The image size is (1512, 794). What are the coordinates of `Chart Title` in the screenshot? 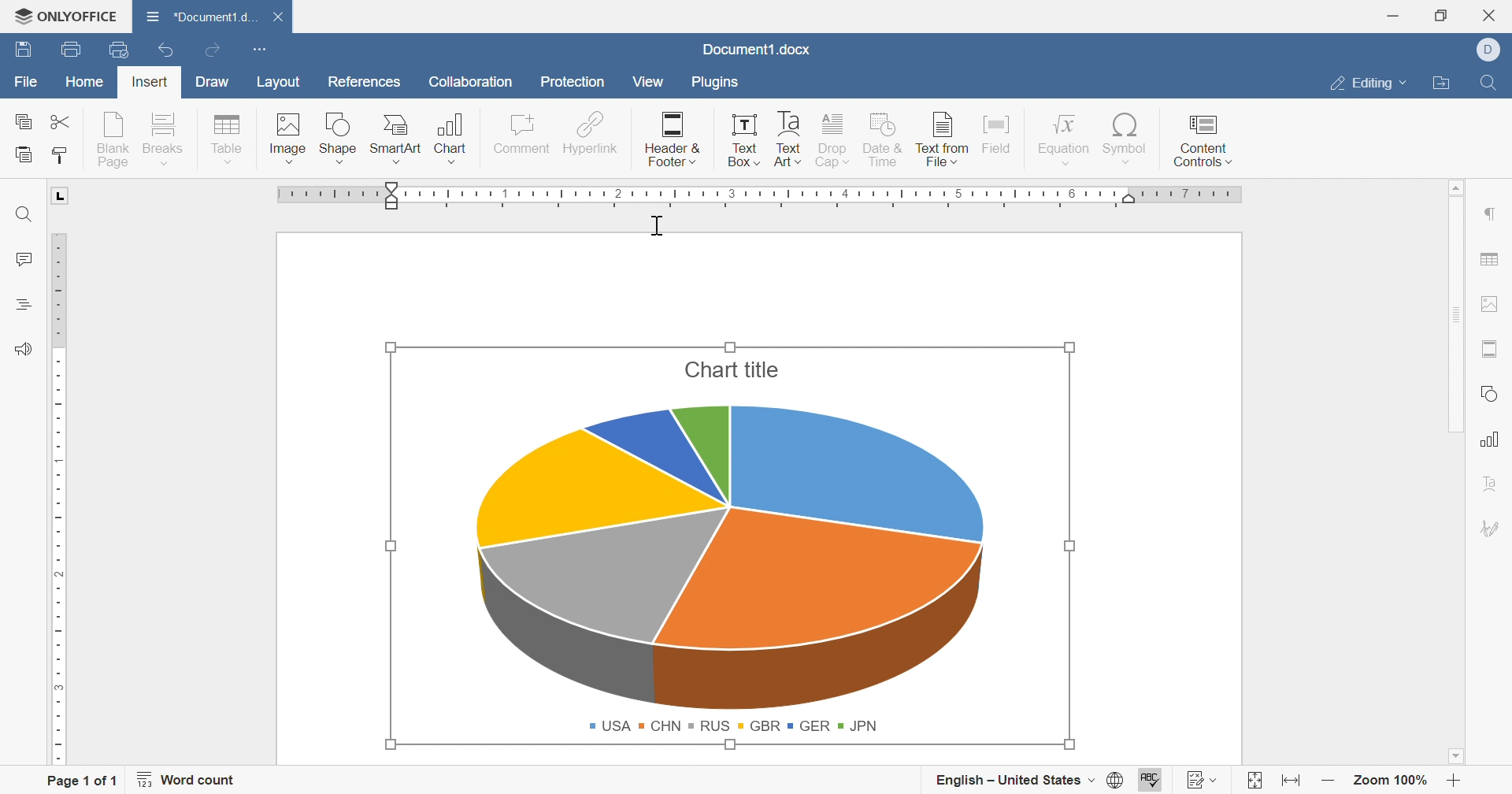 It's located at (733, 369).